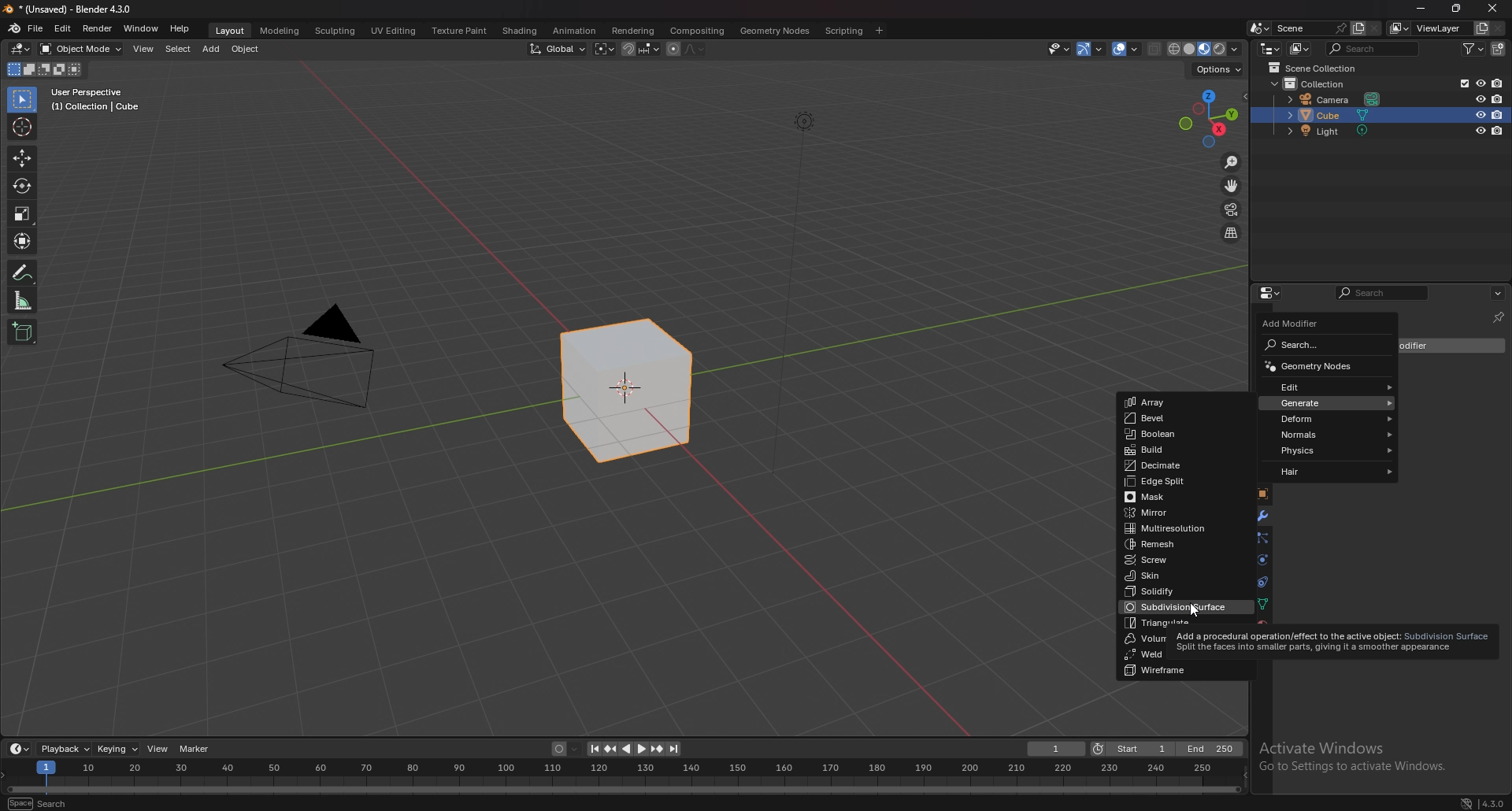 The height and width of the screenshot is (811, 1512). I want to click on jump to keyframe, so click(658, 749).